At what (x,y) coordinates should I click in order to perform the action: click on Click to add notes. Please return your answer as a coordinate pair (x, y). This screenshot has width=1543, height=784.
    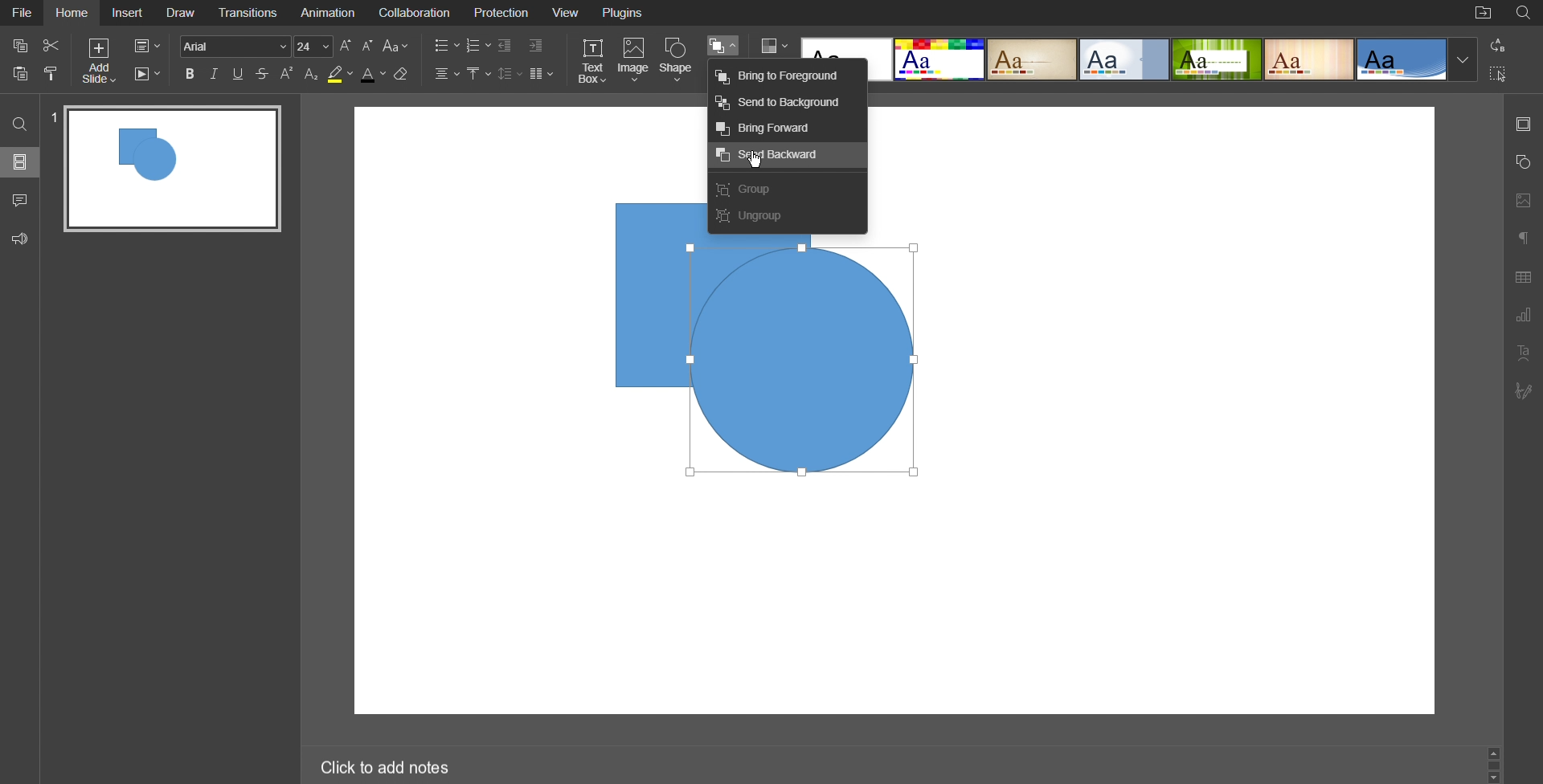
    Looking at the image, I should click on (385, 766).